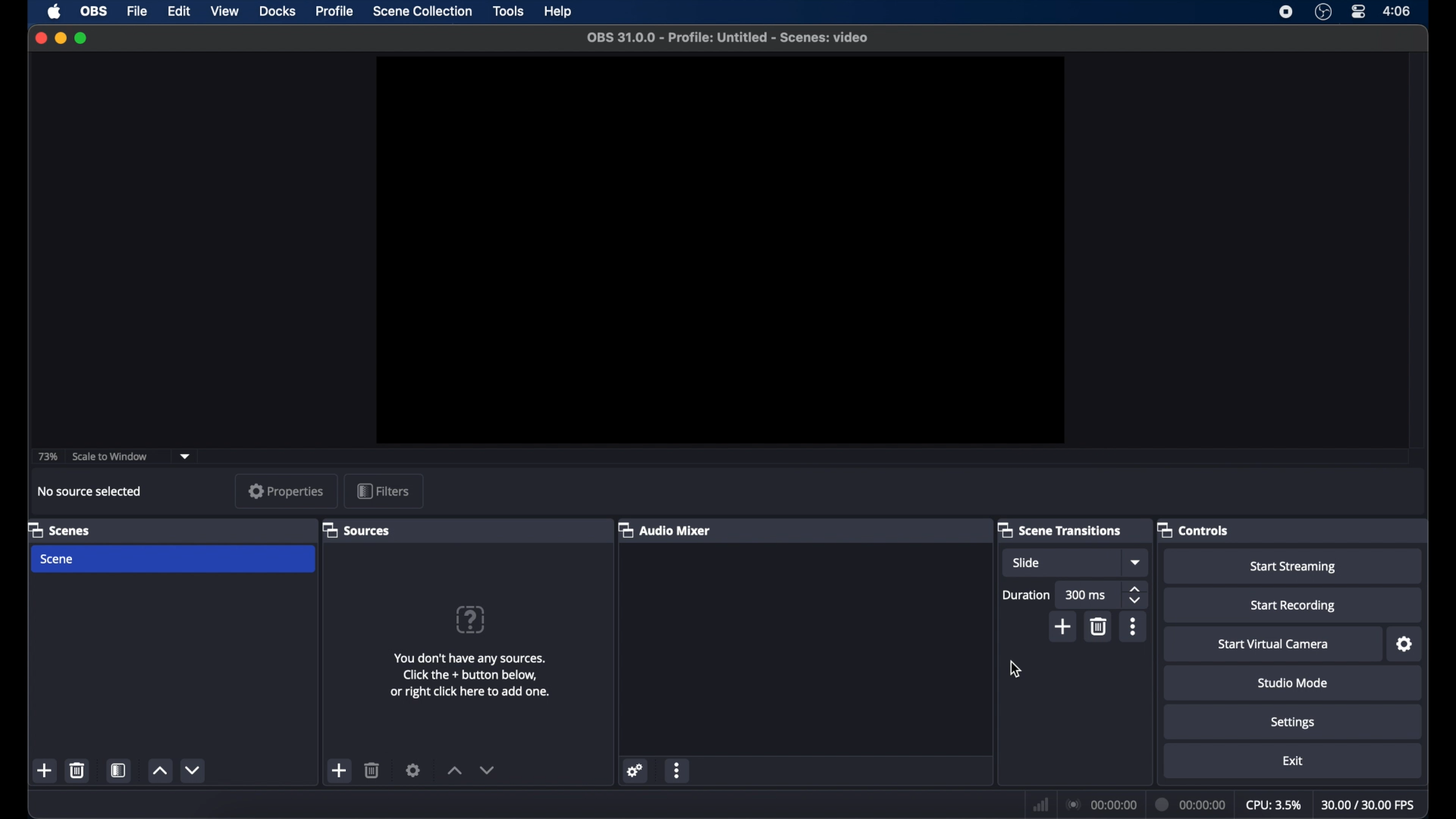 This screenshot has width=1456, height=819. What do you see at coordinates (93, 11) in the screenshot?
I see `obs` at bounding box center [93, 11].